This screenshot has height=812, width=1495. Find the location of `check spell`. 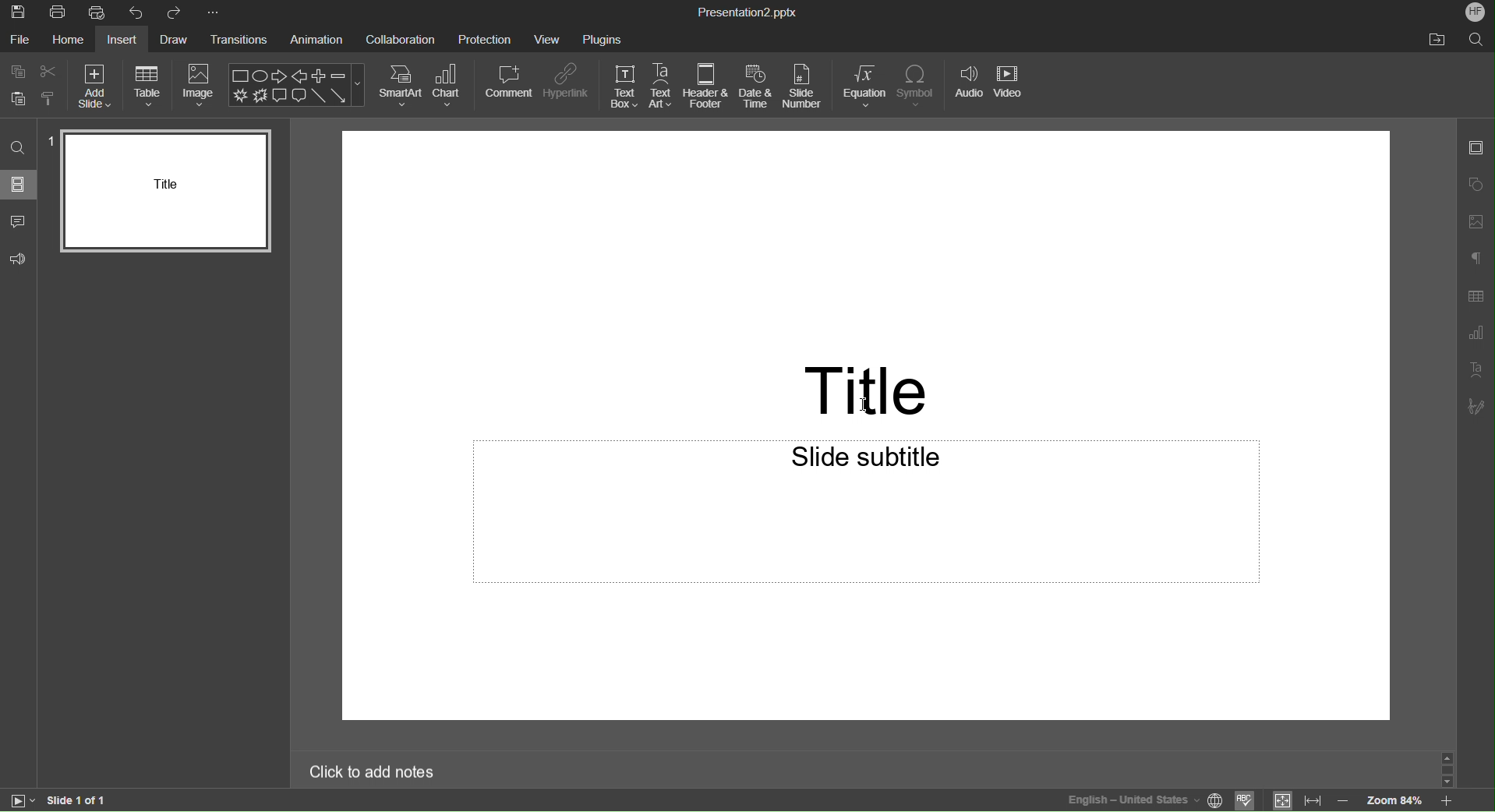

check spell is located at coordinates (1246, 800).